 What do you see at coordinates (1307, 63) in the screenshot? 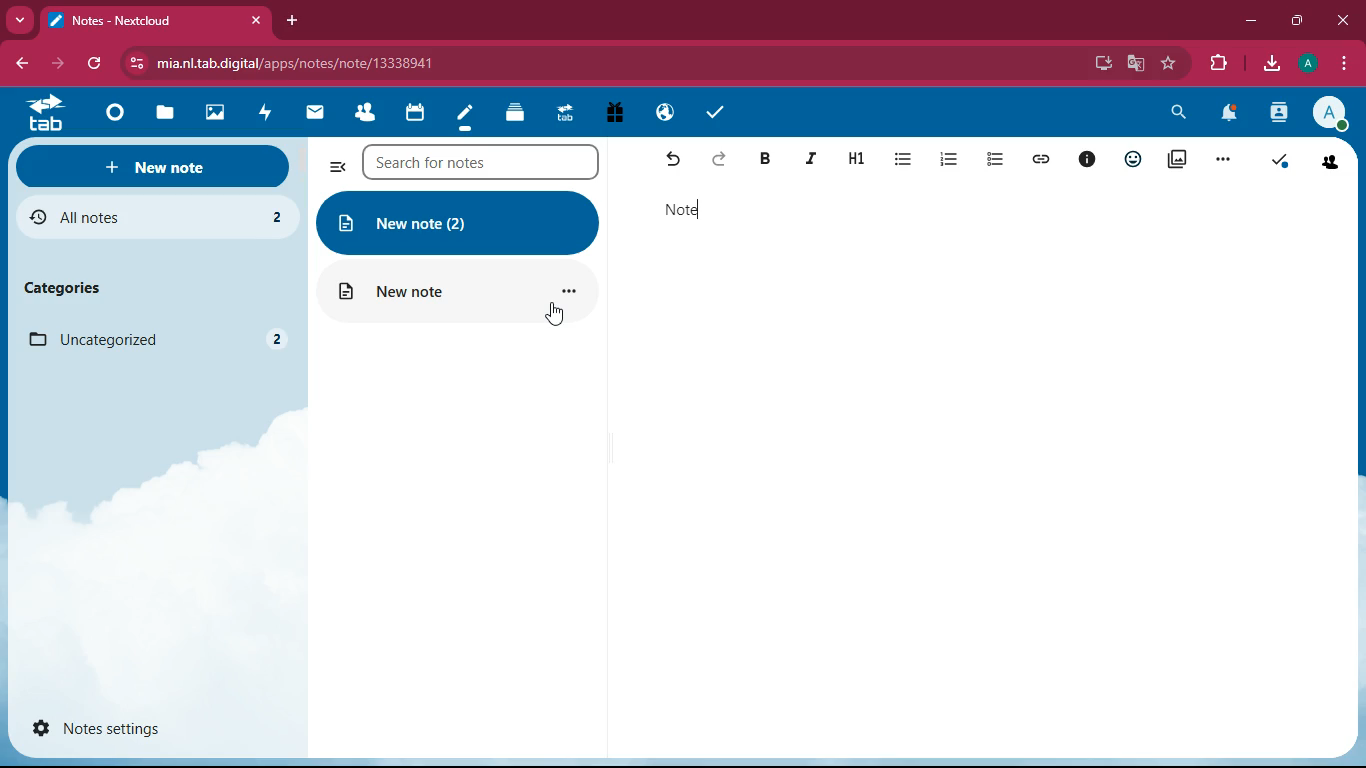
I see `profile` at bounding box center [1307, 63].